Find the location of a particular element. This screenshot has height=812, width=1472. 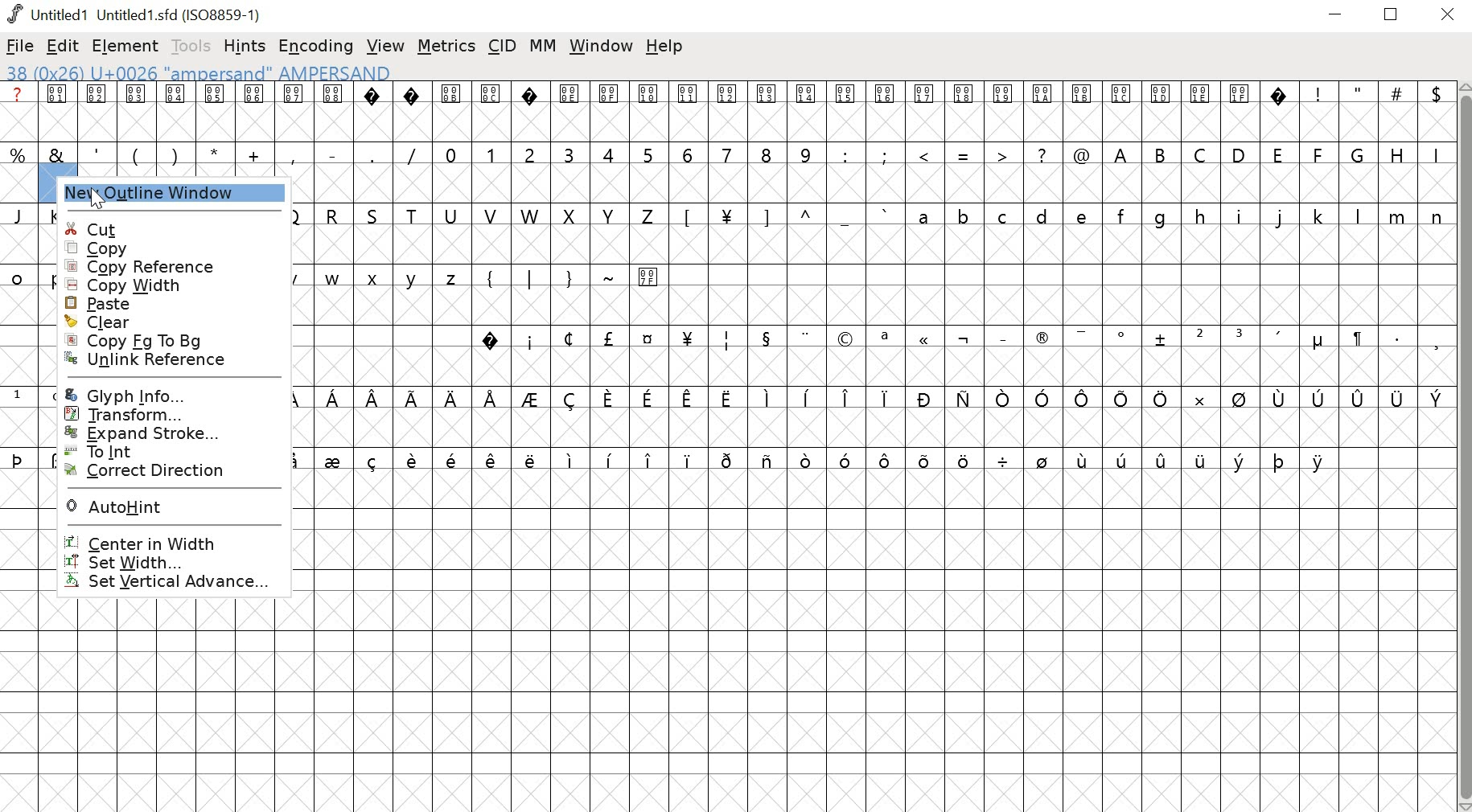

symbol is located at coordinates (1321, 398).